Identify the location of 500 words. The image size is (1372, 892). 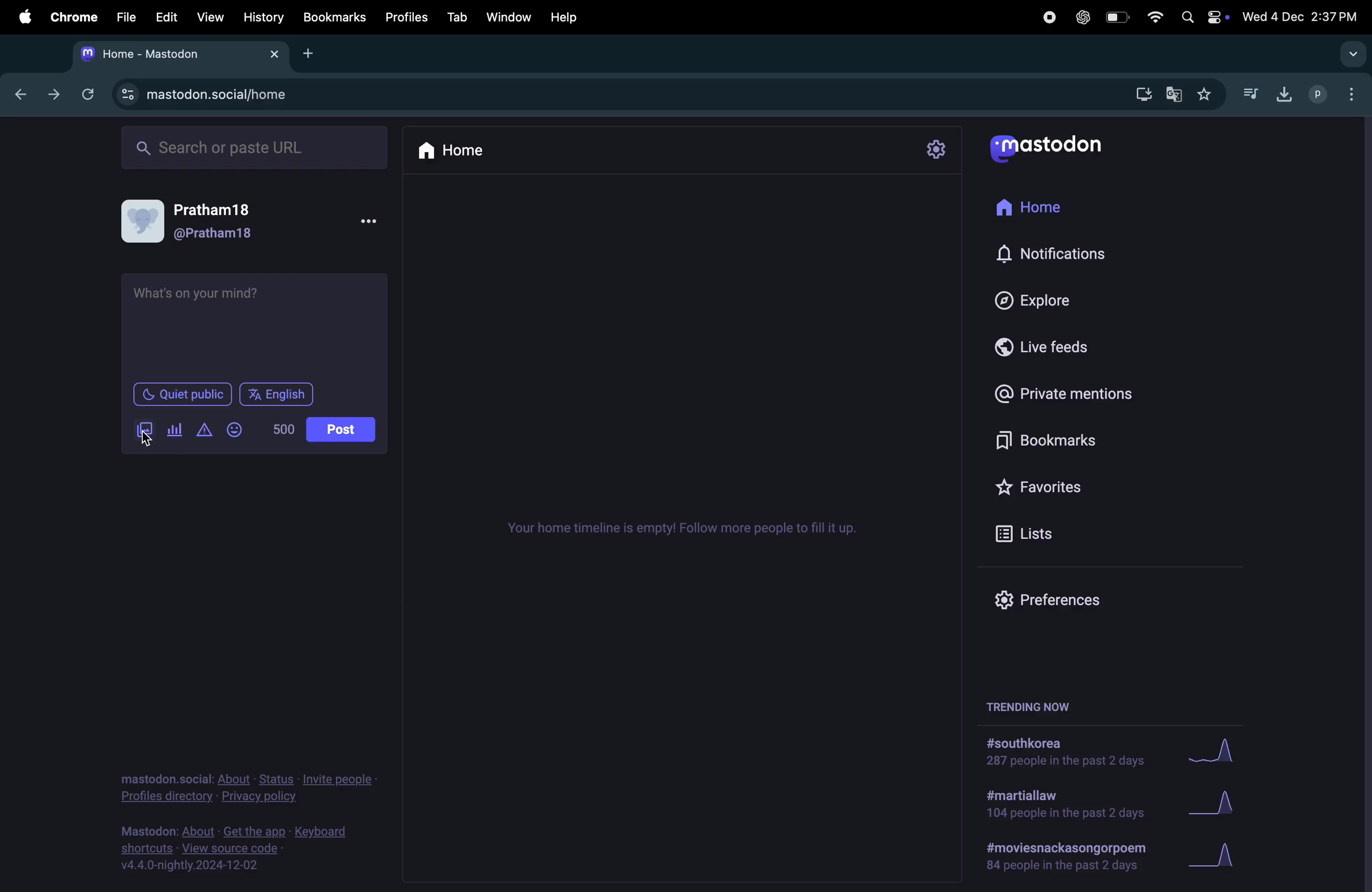
(281, 429).